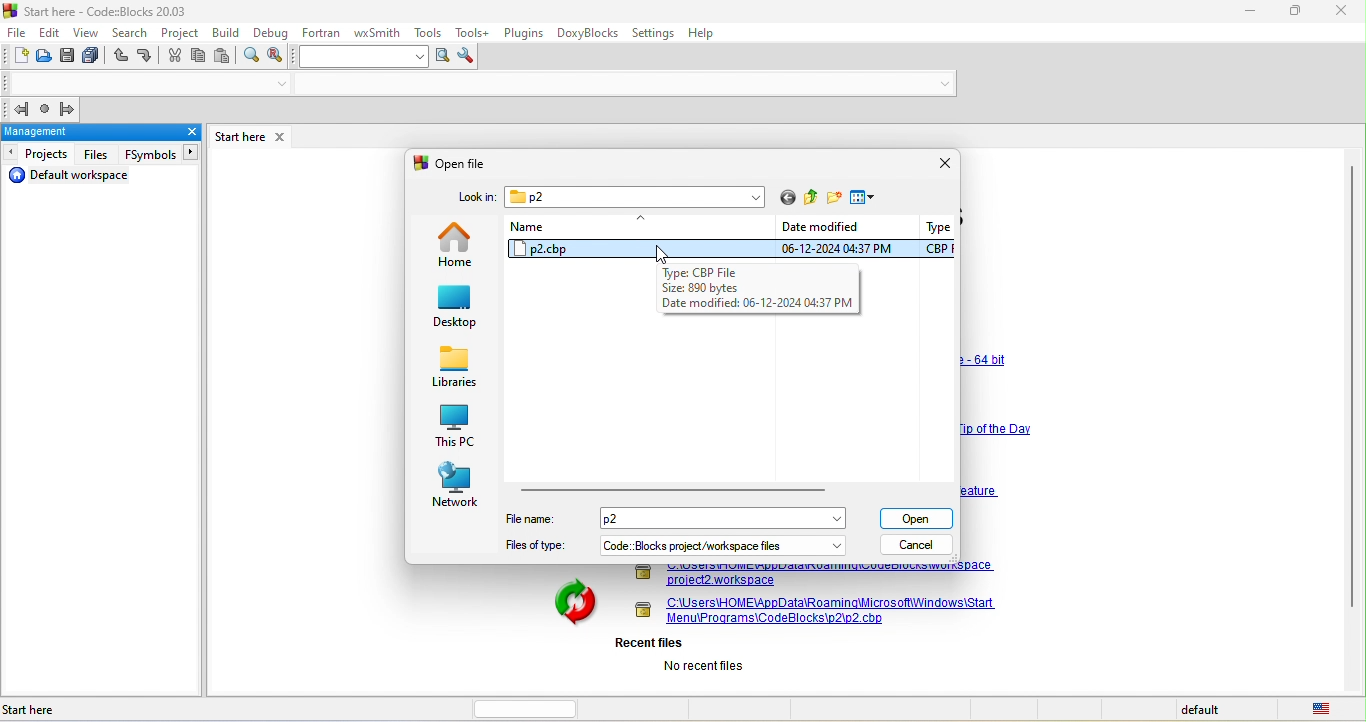  What do you see at coordinates (518, 709) in the screenshot?
I see `horizontal scroll bar` at bounding box center [518, 709].